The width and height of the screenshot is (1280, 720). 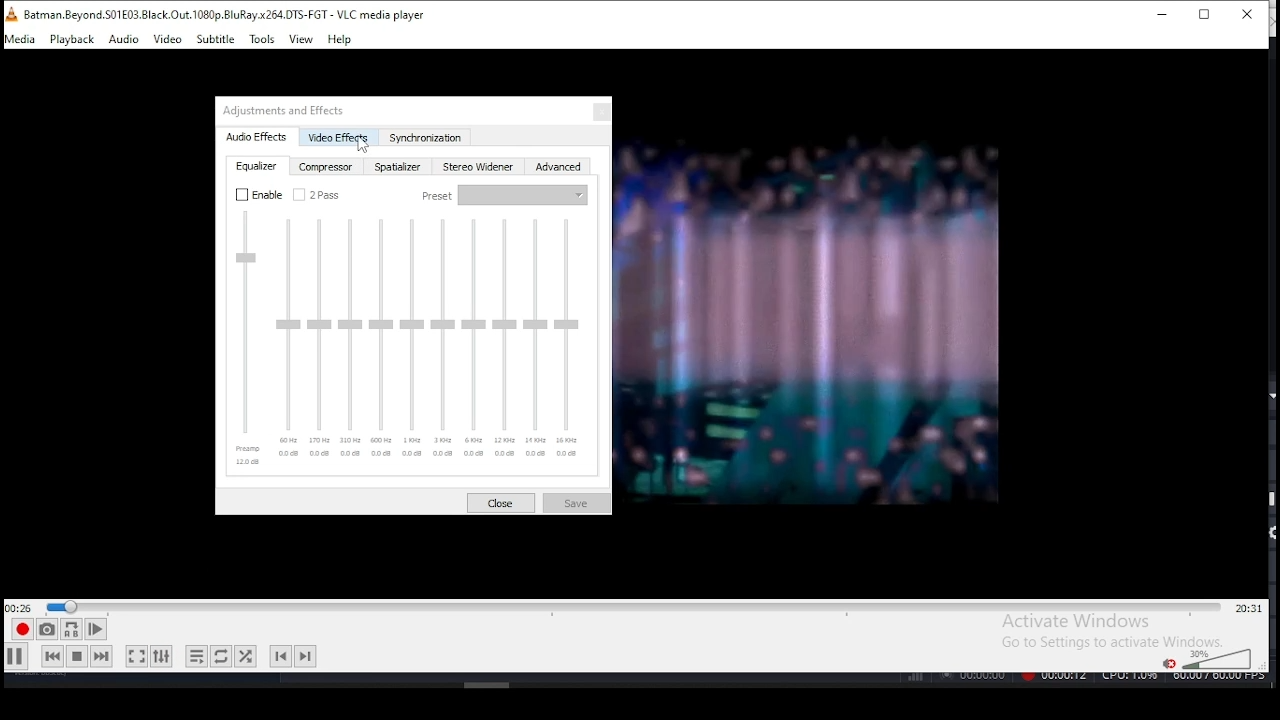 What do you see at coordinates (137, 658) in the screenshot?
I see `toggle fullscreen` at bounding box center [137, 658].